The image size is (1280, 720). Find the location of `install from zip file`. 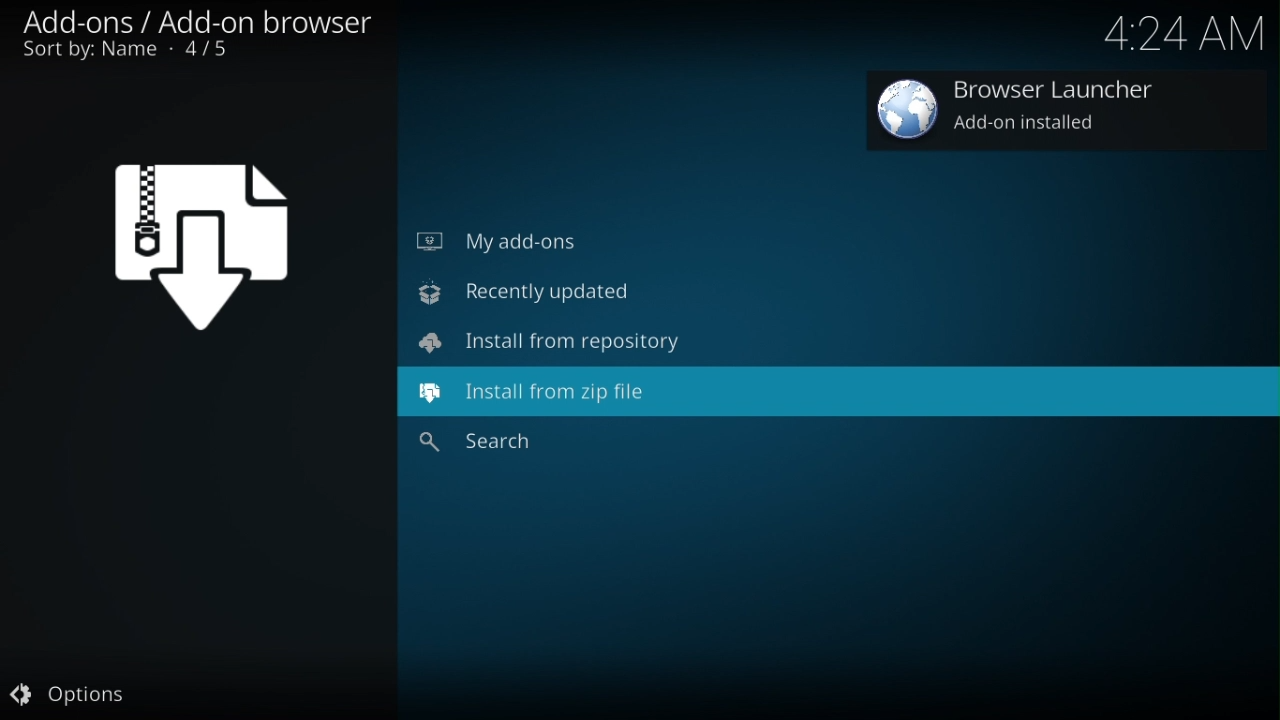

install from zip file is located at coordinates (543, 397).